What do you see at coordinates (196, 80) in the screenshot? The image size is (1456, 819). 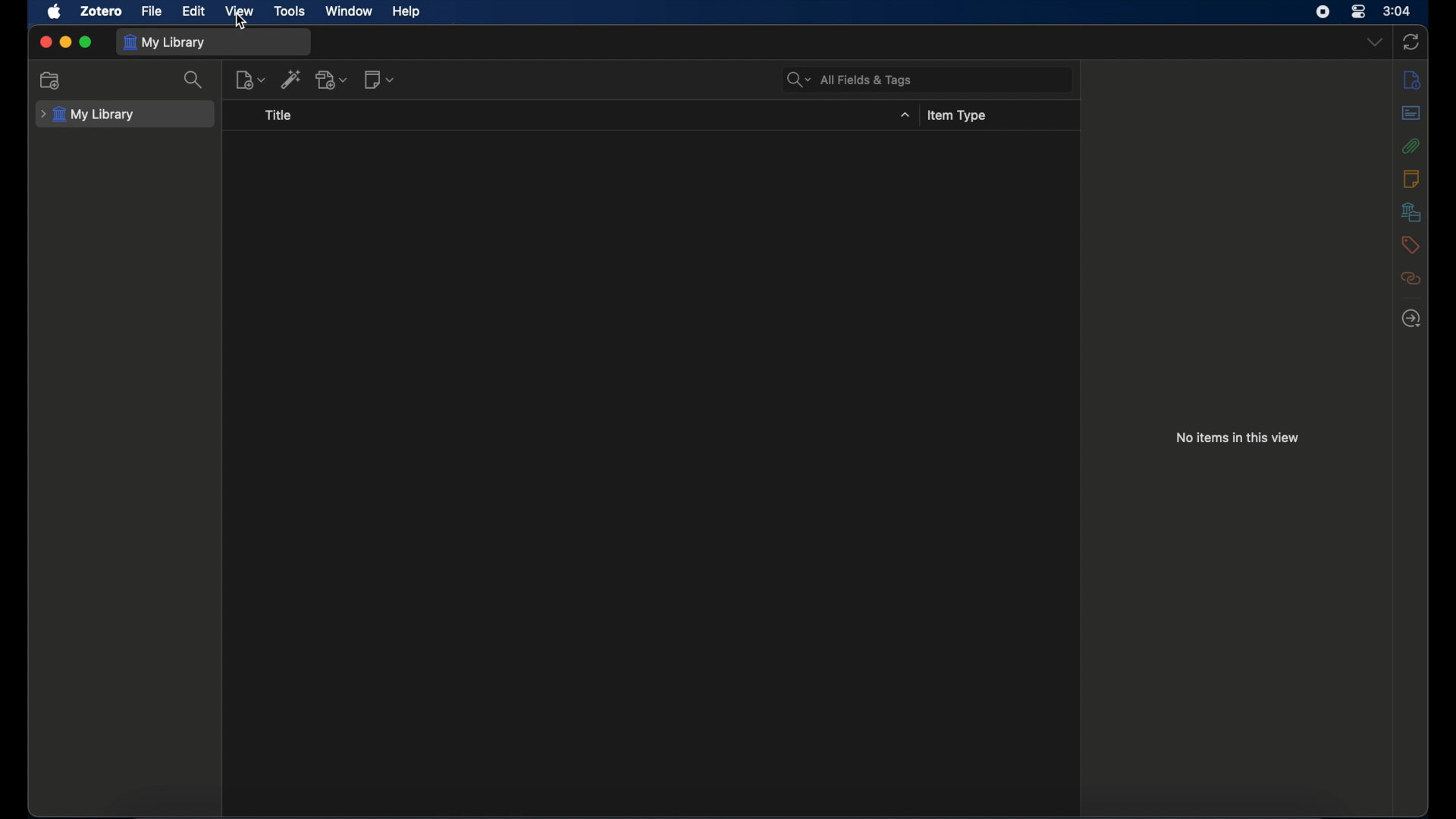 I see `search` at bounding box center [196, 80].